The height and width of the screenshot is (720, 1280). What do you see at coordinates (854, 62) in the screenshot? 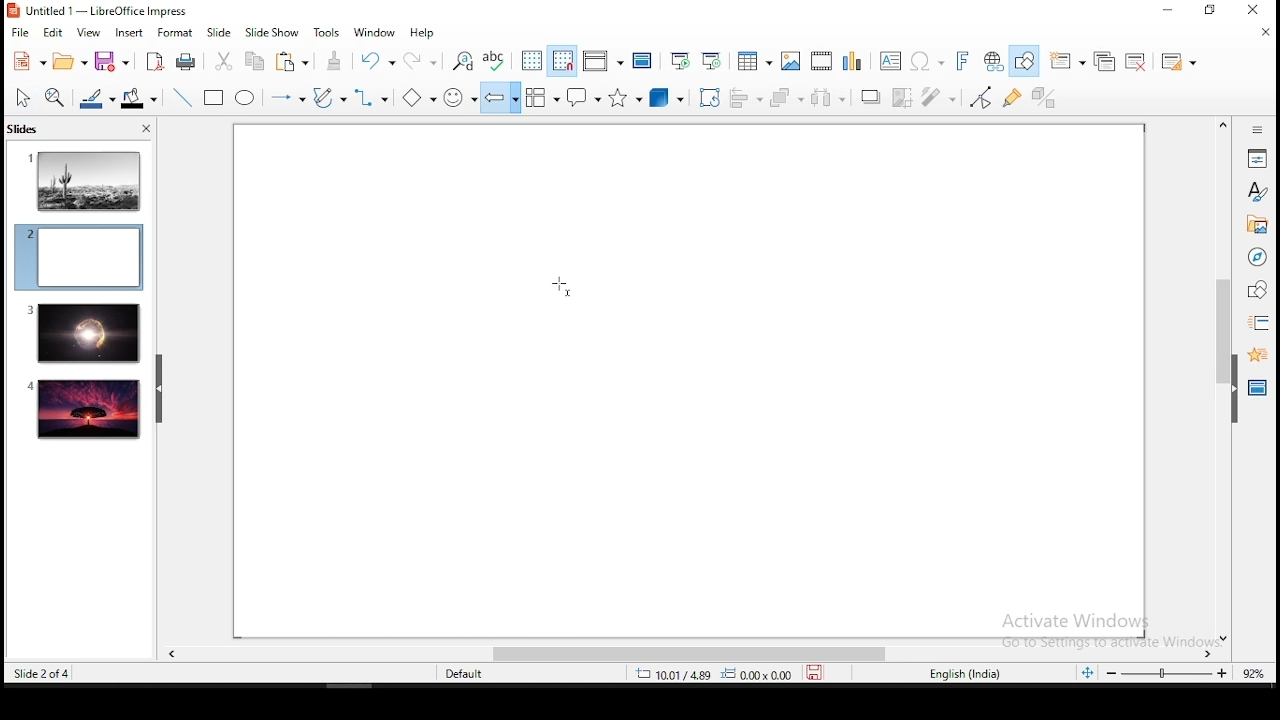
I see `charts` at bounding box center [854, 62].